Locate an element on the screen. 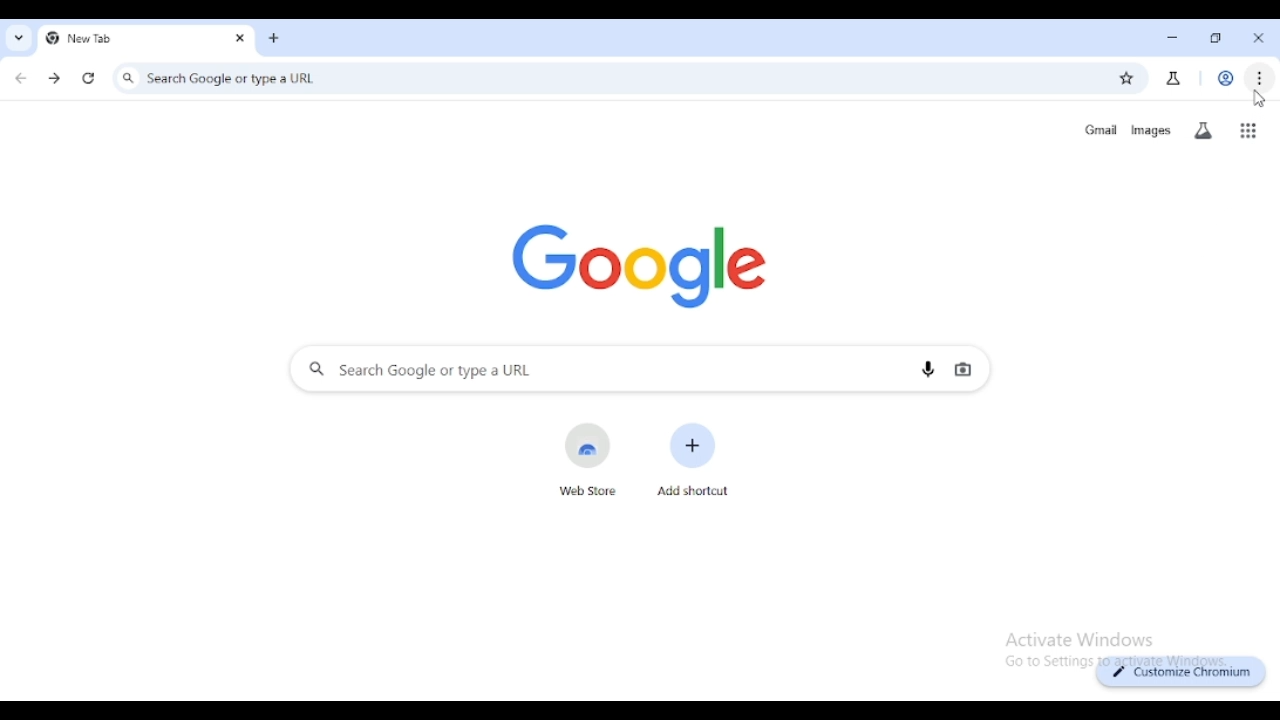  google is located at coordinates (638, 264).